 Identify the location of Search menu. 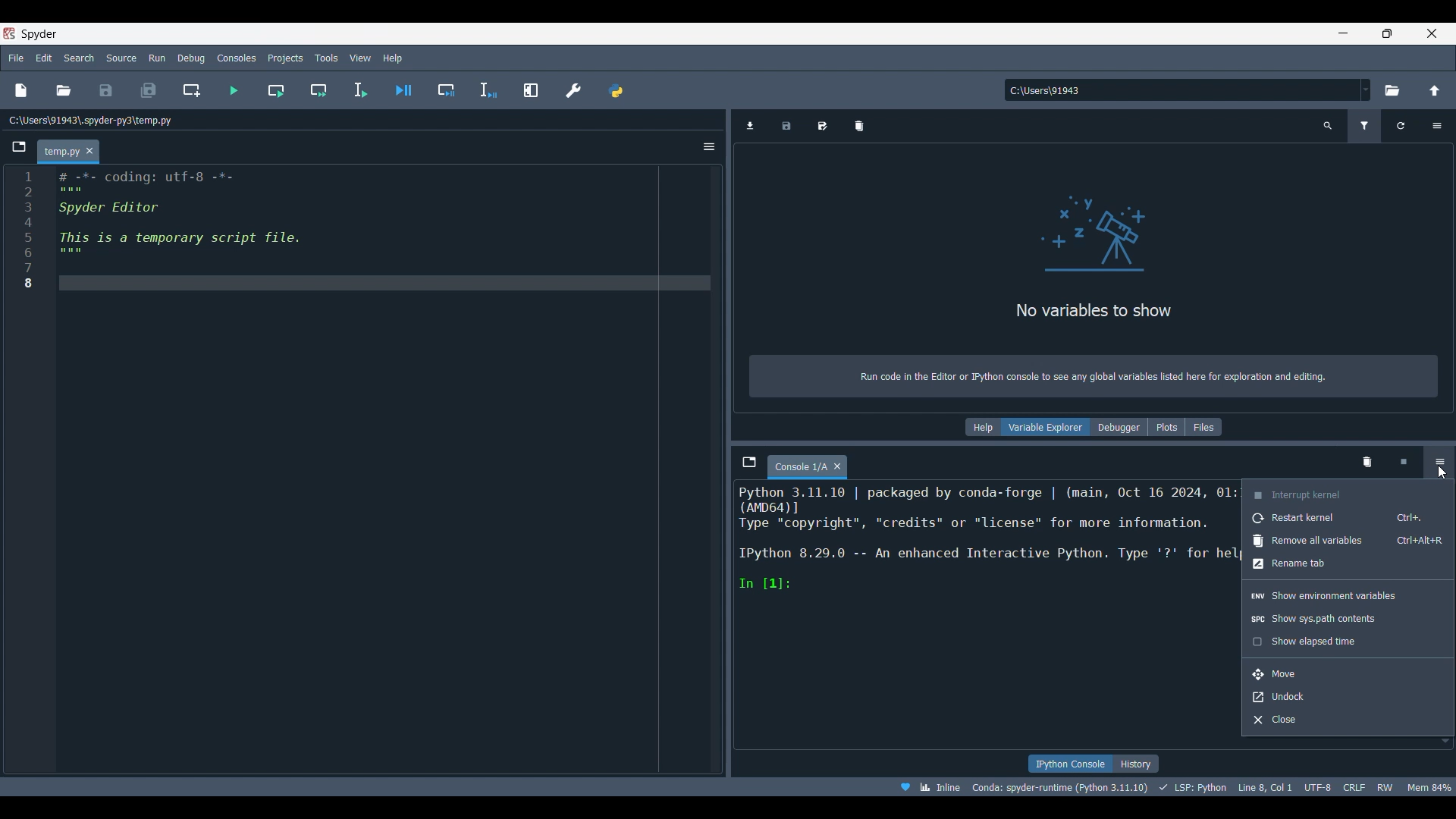
(79, 58).